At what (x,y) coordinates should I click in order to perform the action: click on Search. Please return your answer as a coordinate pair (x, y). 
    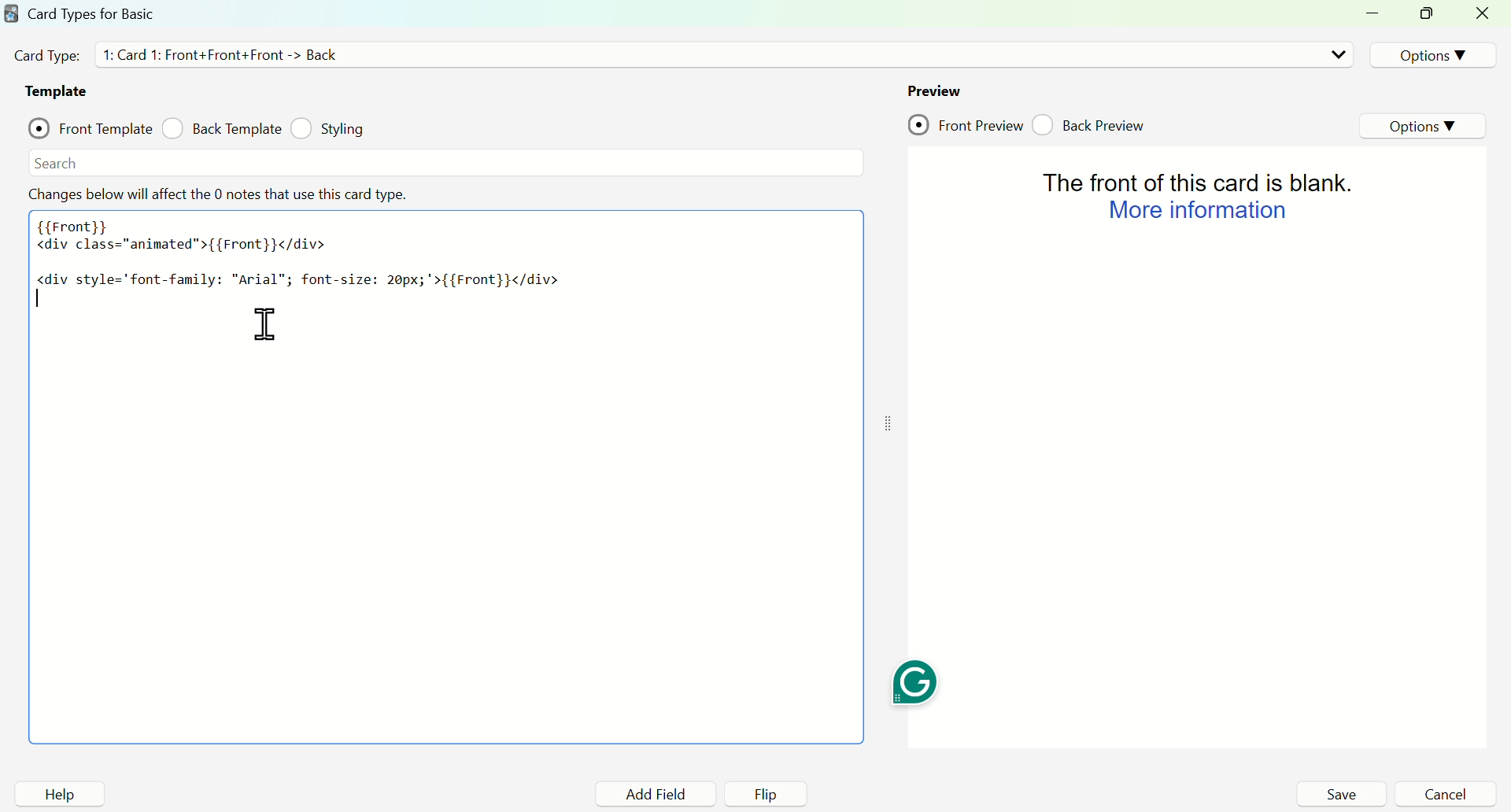
    Looking at the image, I should click on (57, 163).